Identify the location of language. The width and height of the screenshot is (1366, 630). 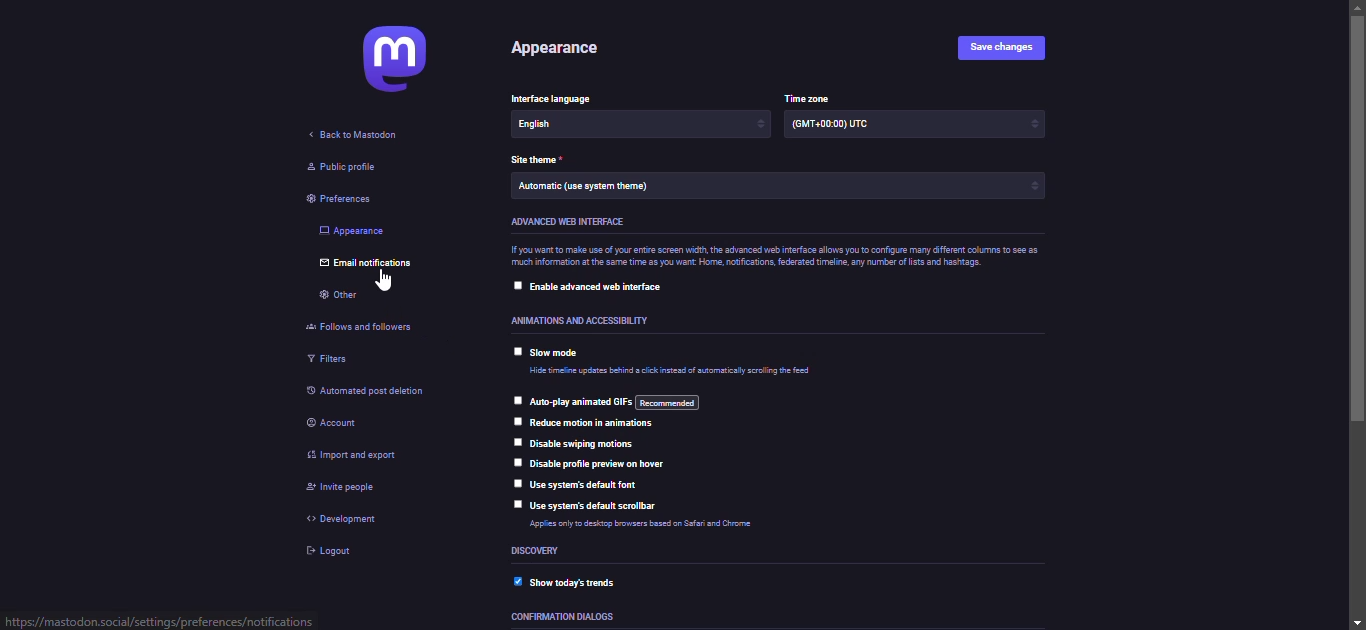
(567, 126).